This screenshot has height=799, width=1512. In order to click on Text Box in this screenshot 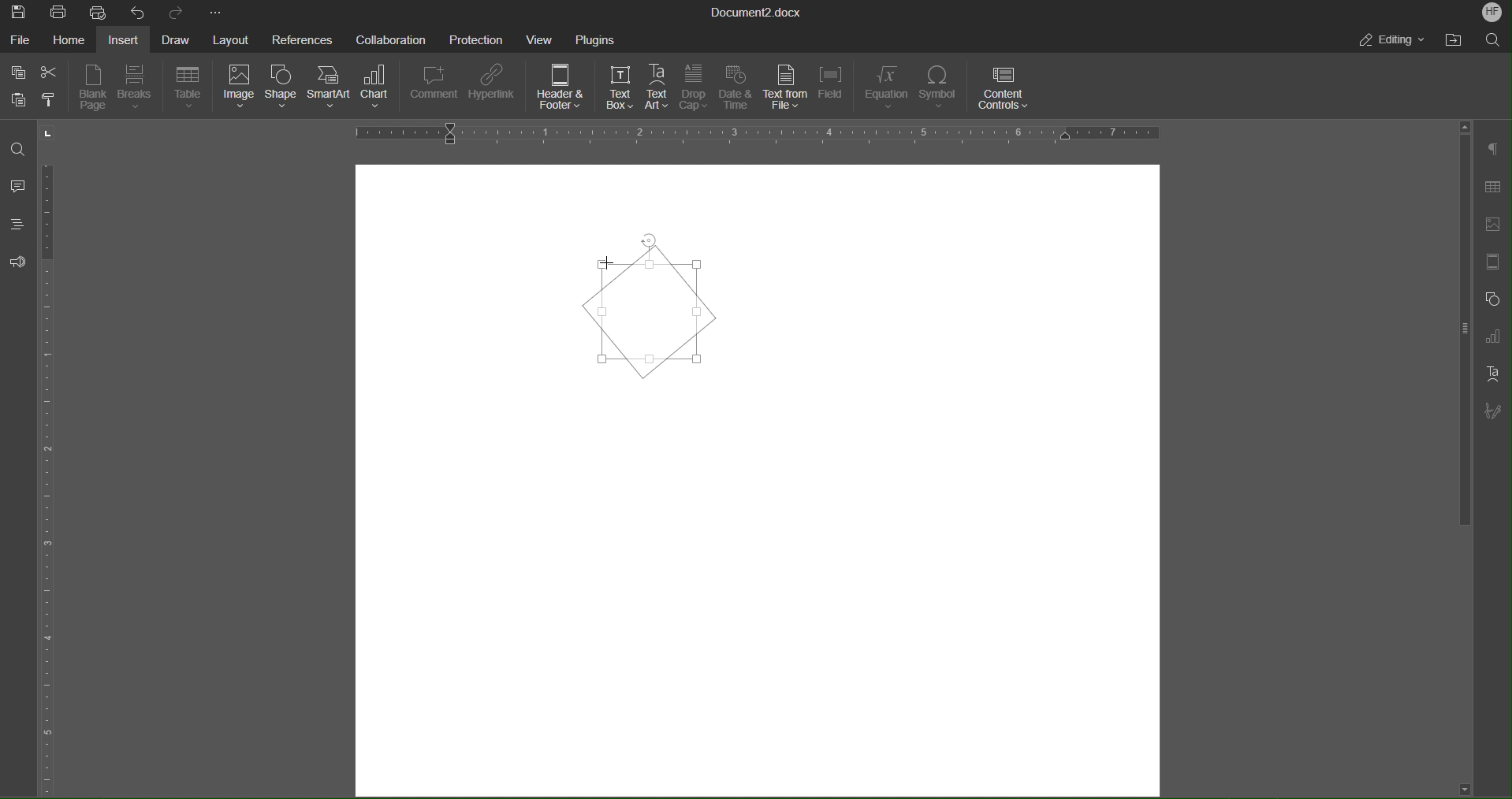, I will do `click(620, 87)`.